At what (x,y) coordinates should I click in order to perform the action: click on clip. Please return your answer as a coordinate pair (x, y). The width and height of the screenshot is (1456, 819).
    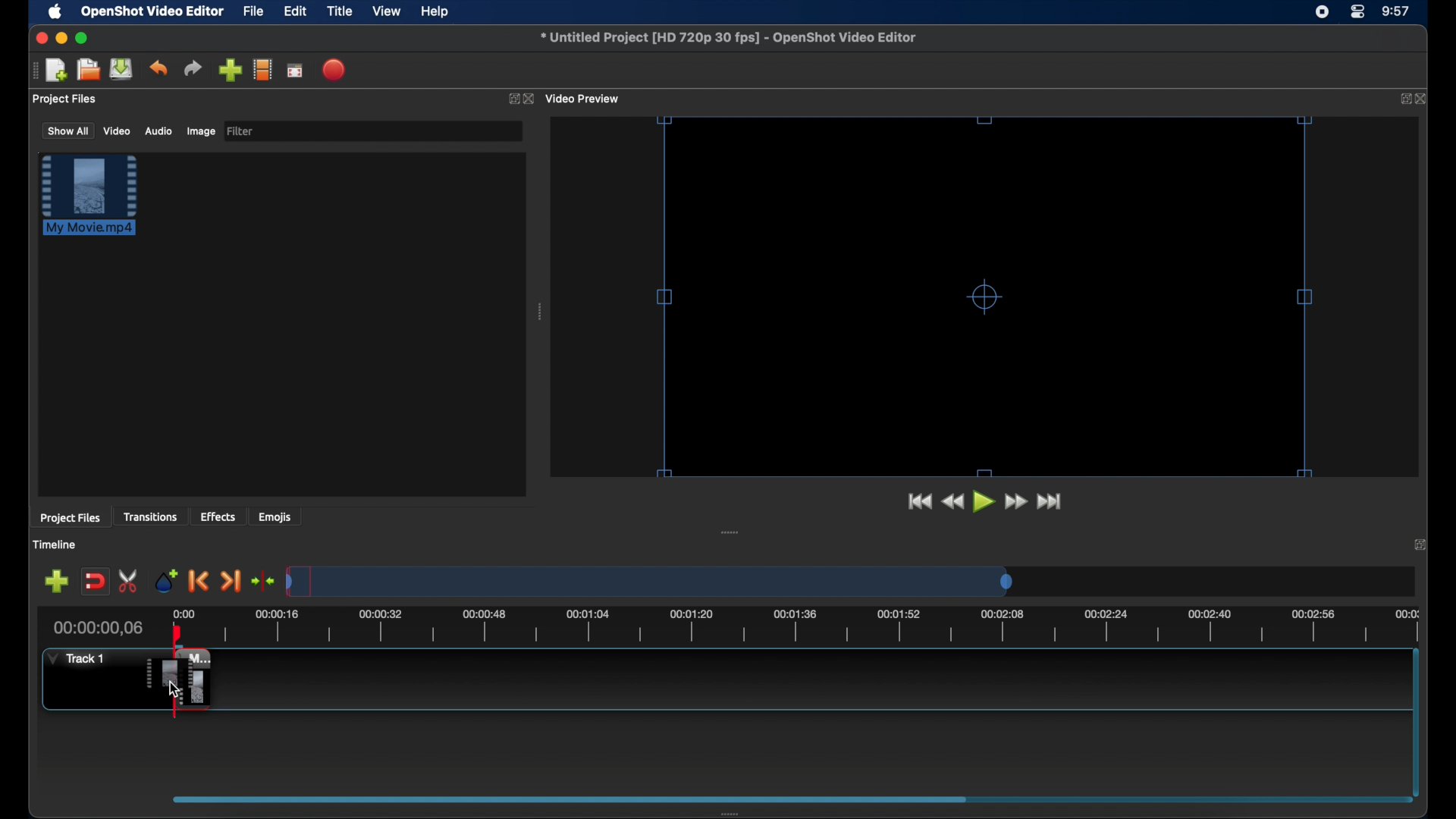
    Looking at the image, I should click on (177, 679).